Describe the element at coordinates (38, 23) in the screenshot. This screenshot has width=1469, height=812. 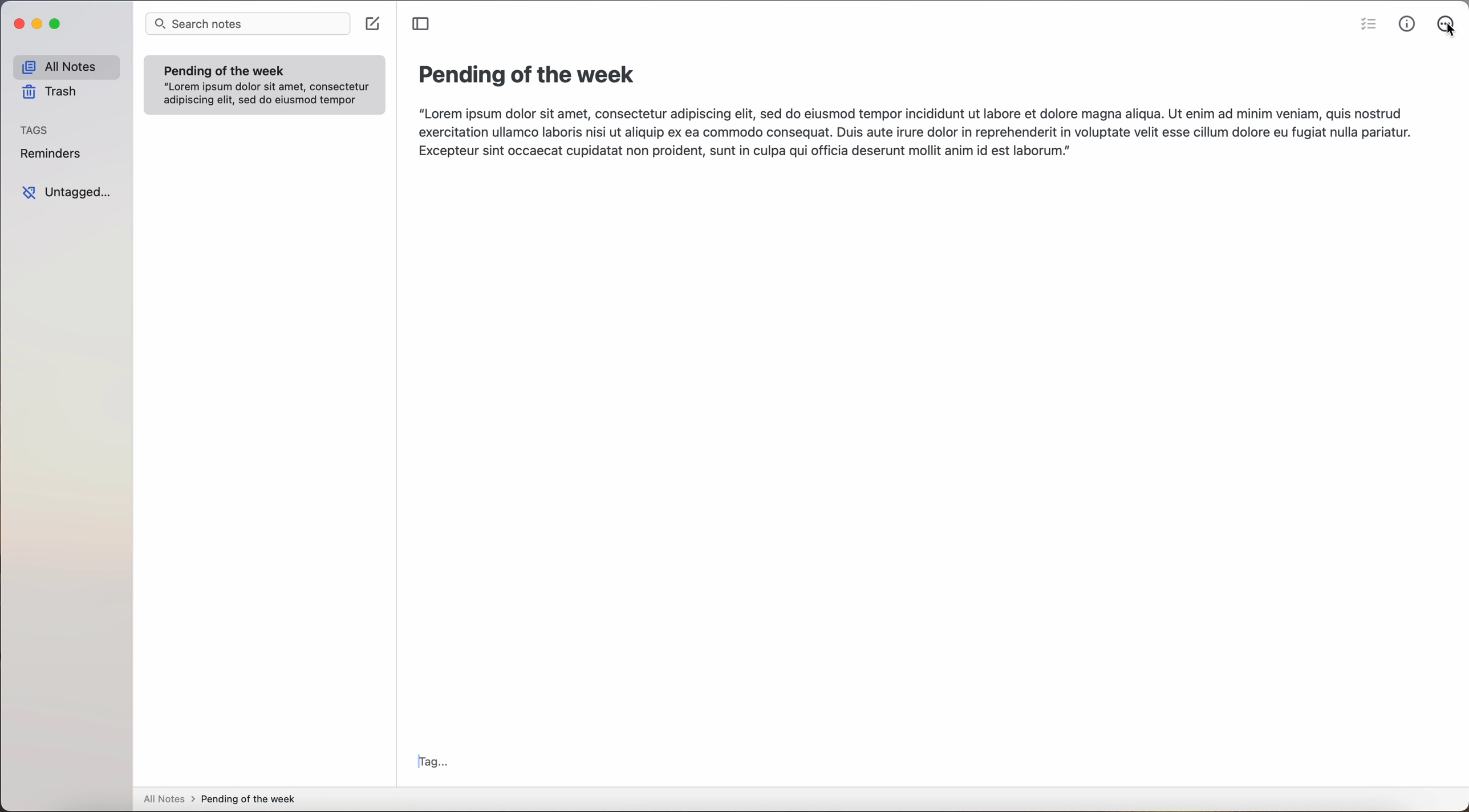
I see `minimize Simplenote` at that location.